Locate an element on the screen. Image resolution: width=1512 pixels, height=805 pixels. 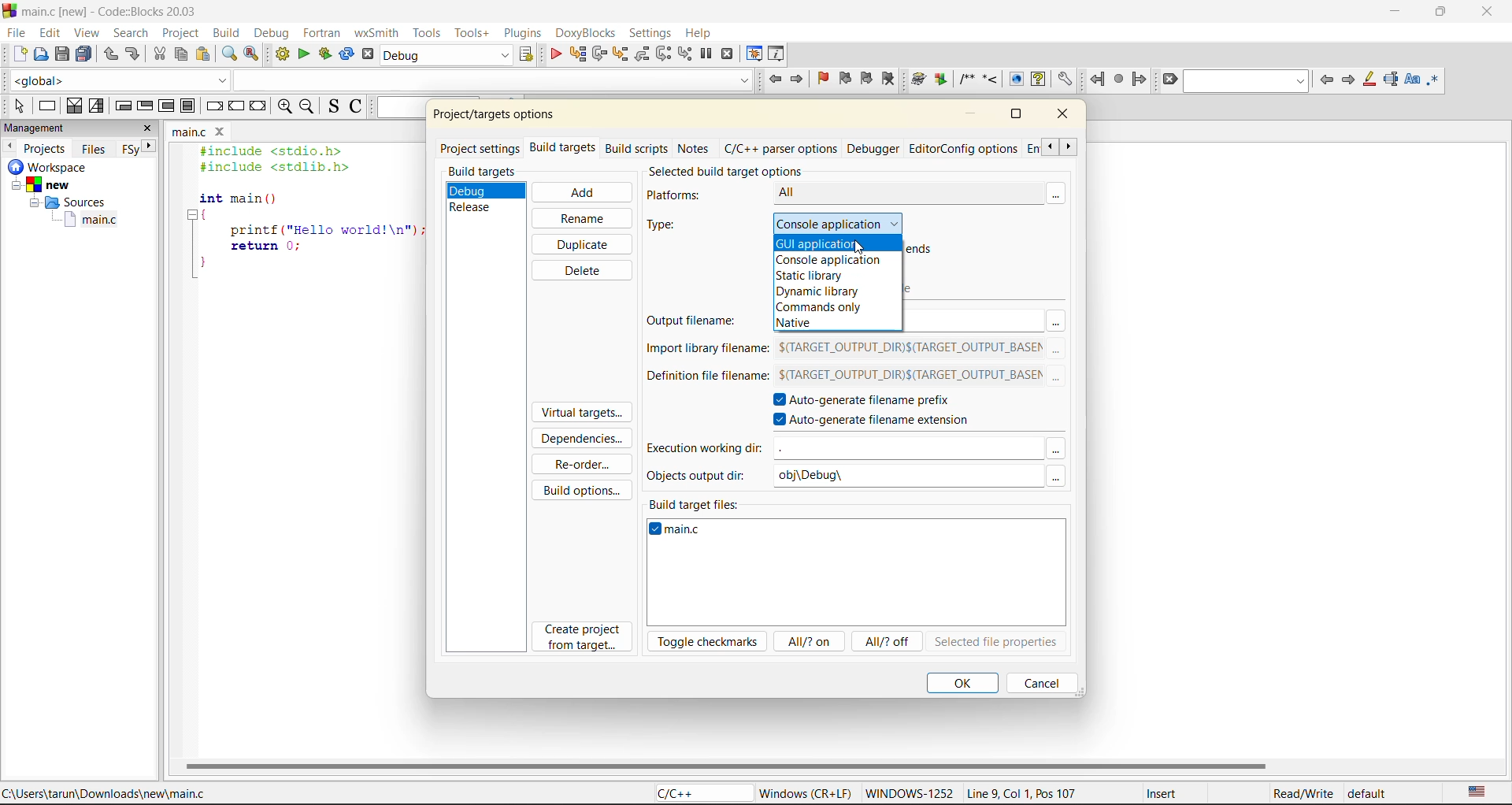
 is located at coordinates (1056, 448).